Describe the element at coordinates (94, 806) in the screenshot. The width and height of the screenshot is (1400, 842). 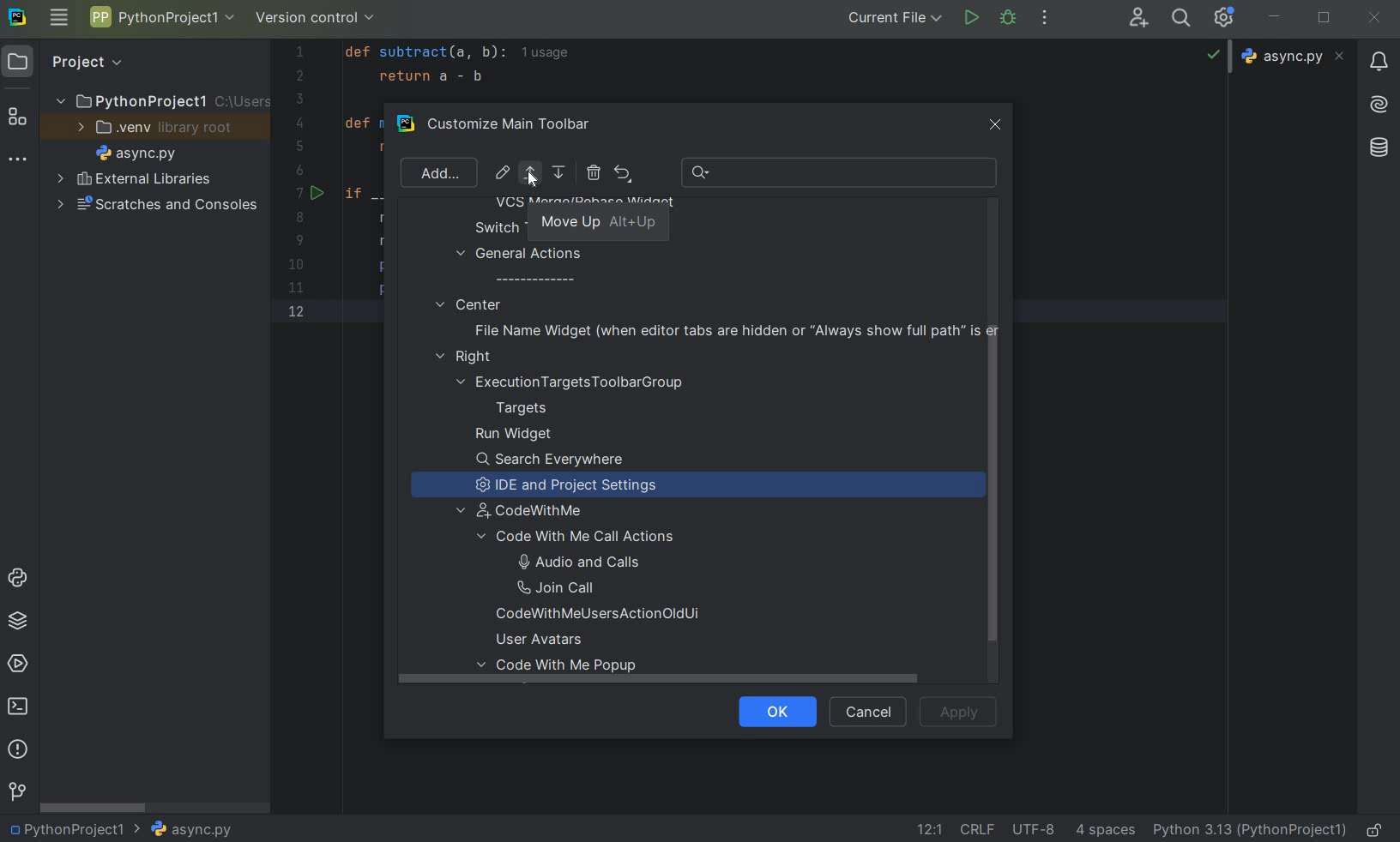
I see `SCROLLBAR` at that location.